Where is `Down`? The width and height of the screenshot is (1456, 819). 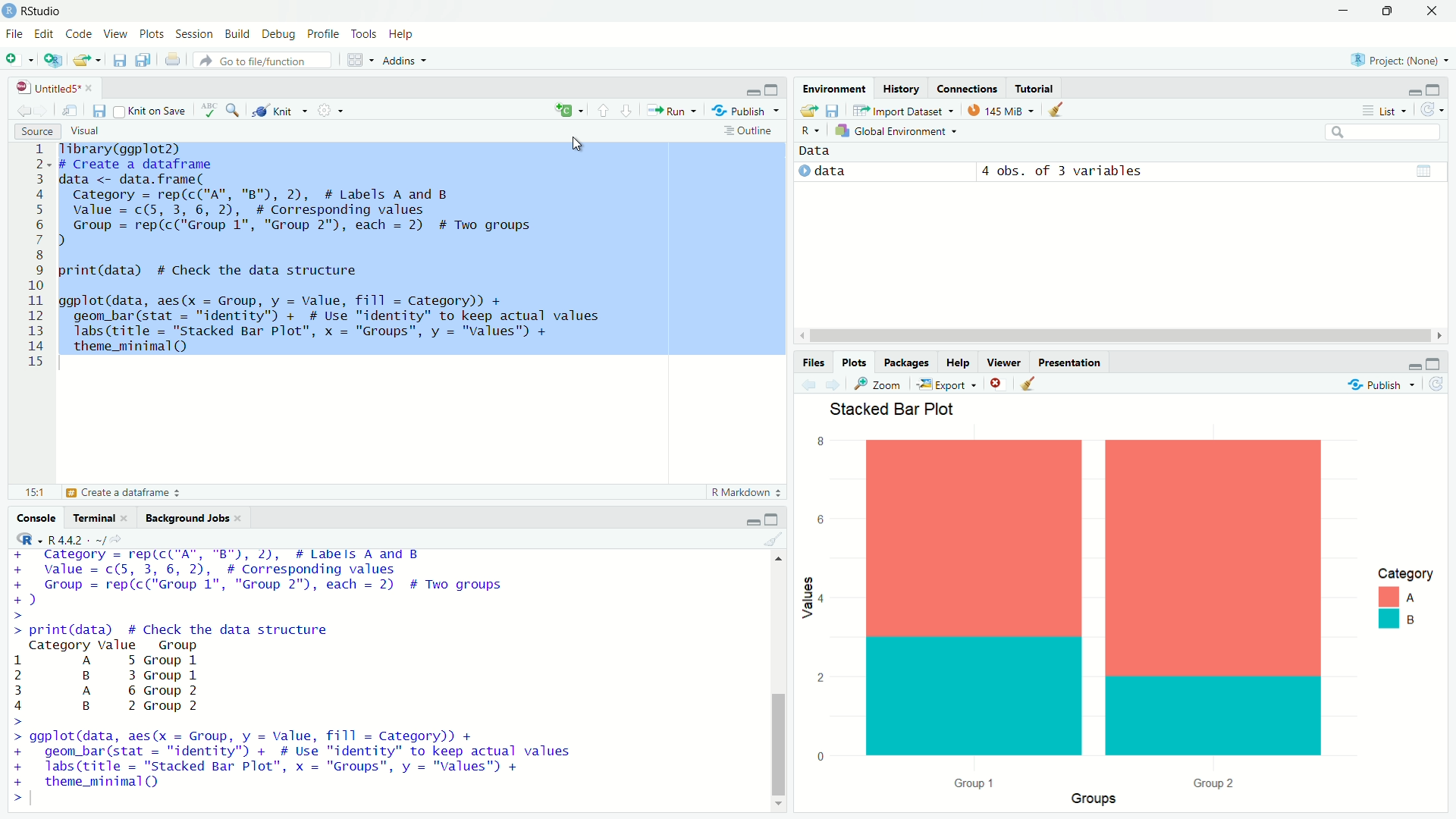 Down is located at coordinates (777, 802).